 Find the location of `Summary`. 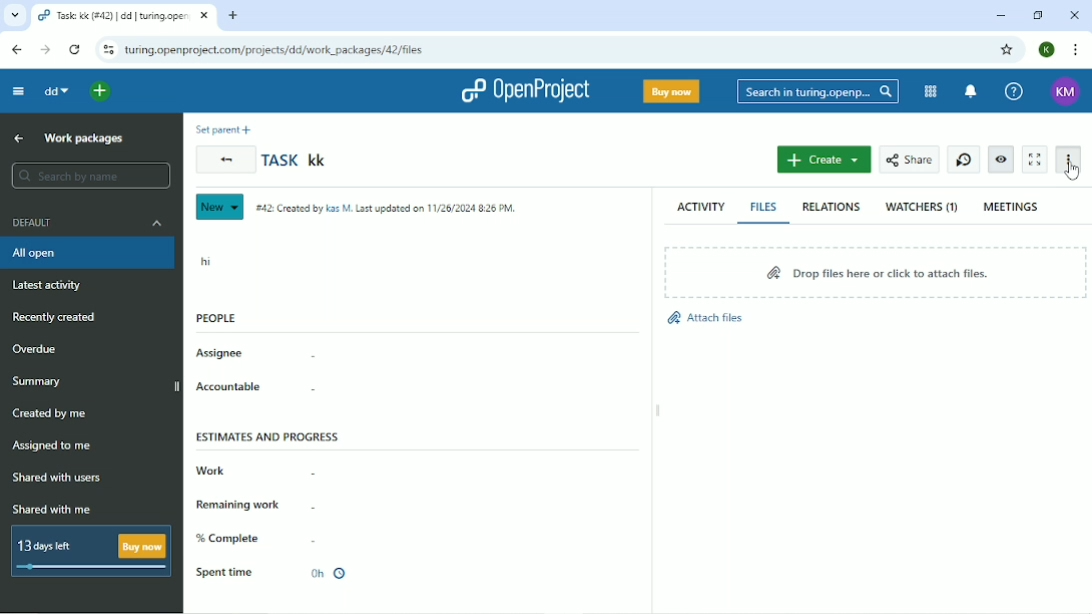

Summary is located at coordinates (37, 382).